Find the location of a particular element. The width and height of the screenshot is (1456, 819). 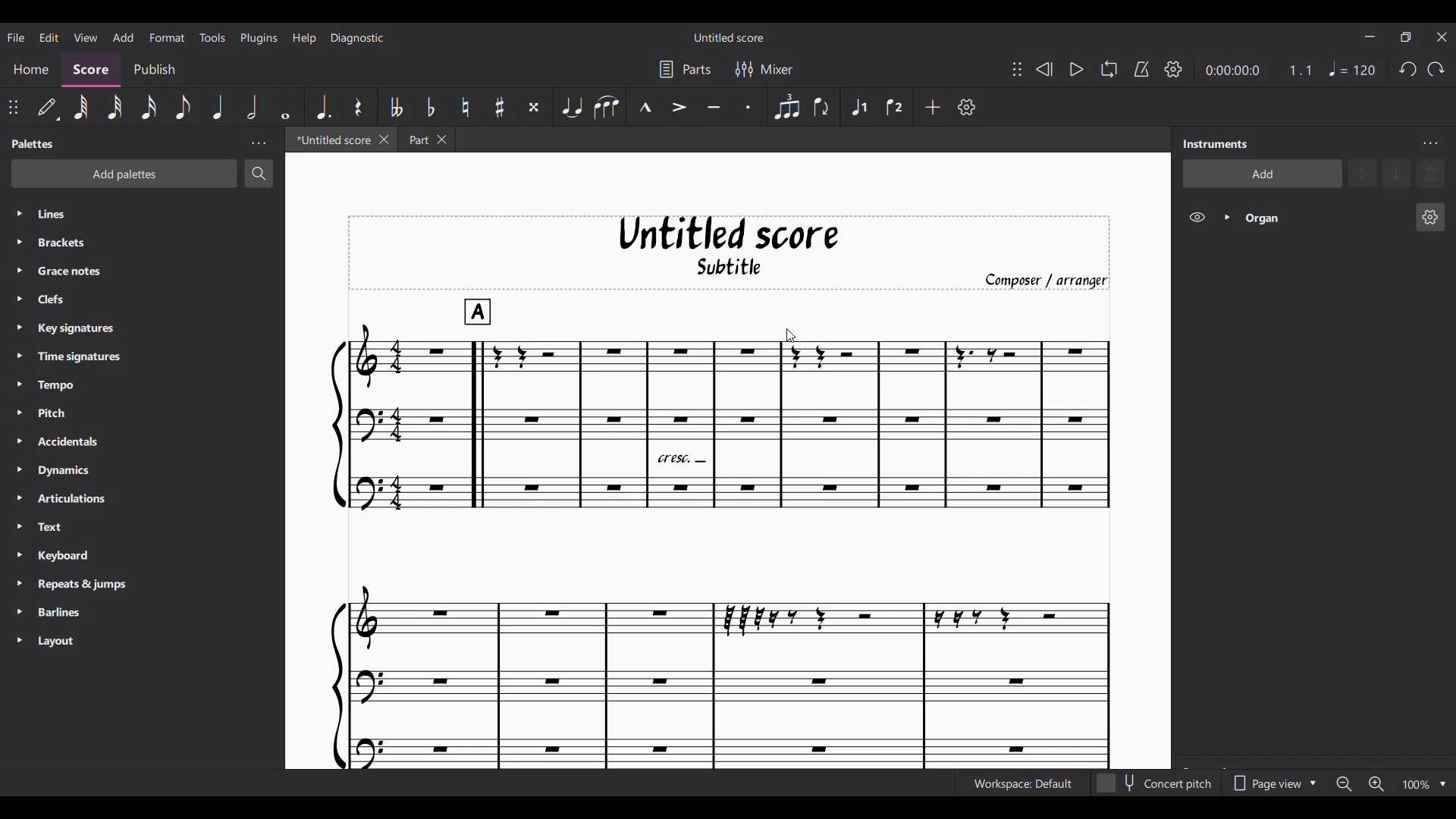

Playback settings is located at coordinates (1173, 69).